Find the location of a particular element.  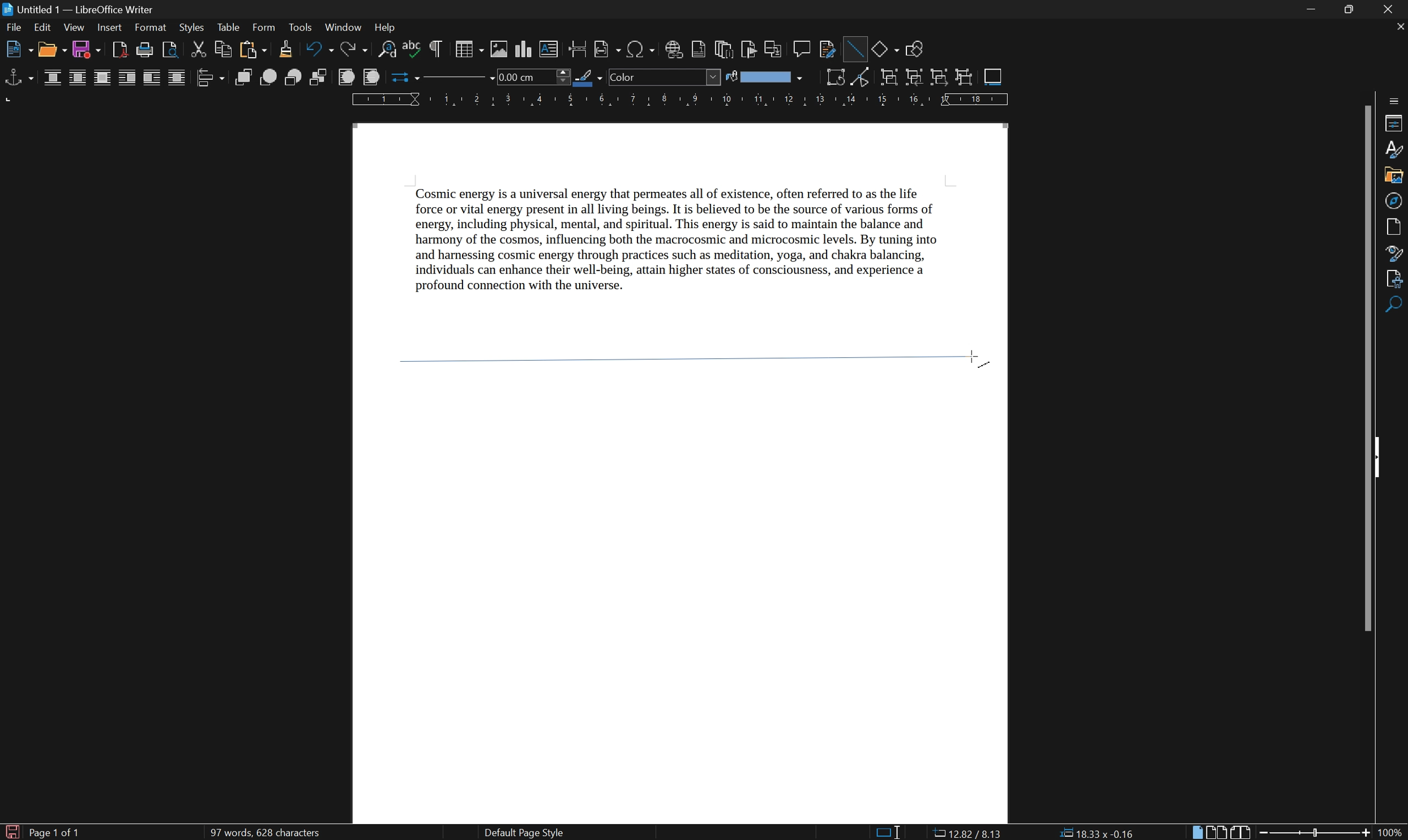

insert cross reference is located at coordinates (774, 49).